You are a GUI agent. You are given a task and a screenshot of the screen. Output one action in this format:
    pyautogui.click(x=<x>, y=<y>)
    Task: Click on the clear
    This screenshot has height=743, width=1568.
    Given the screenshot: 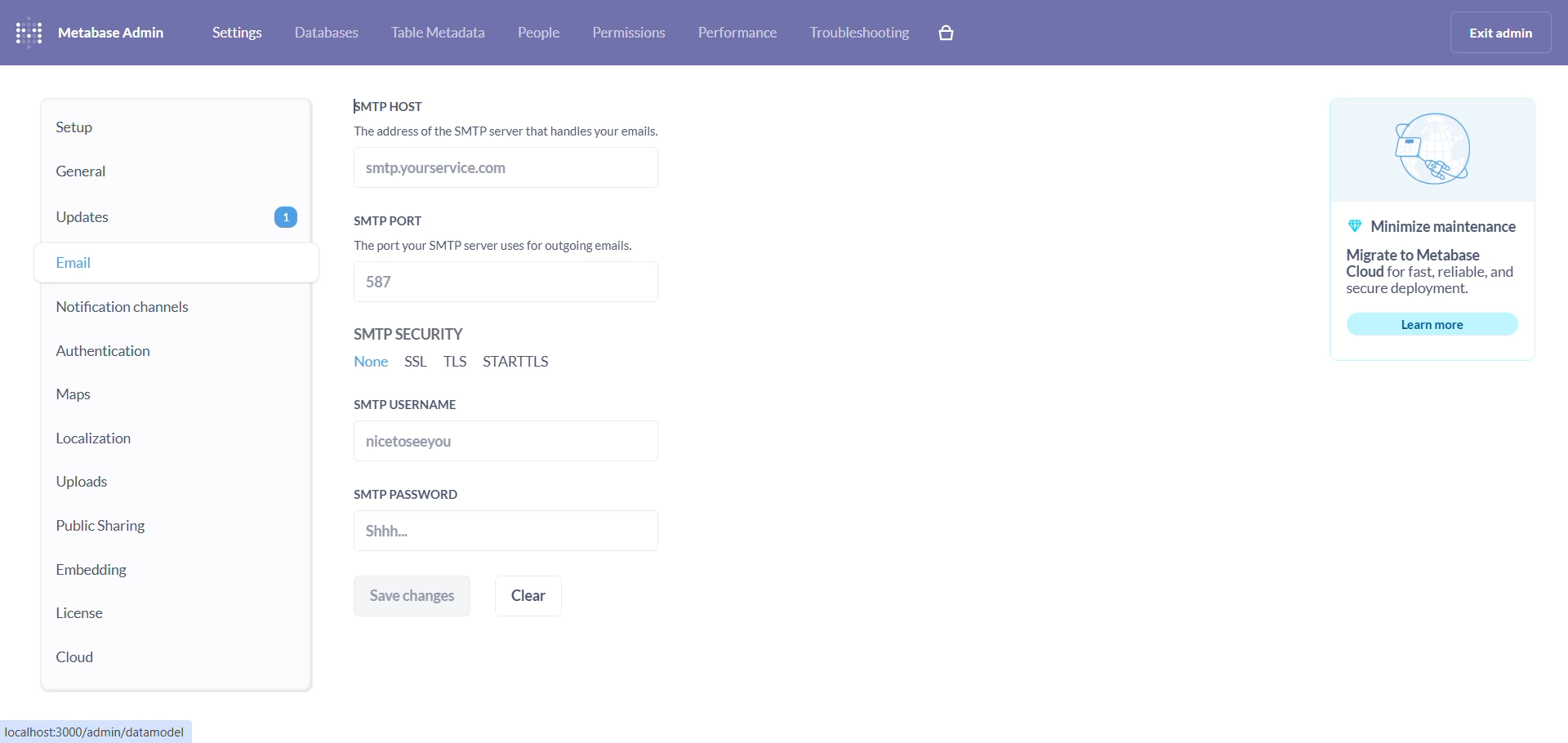 What is the action you would take?
    pyautogui.click(x=546, y=594)
    